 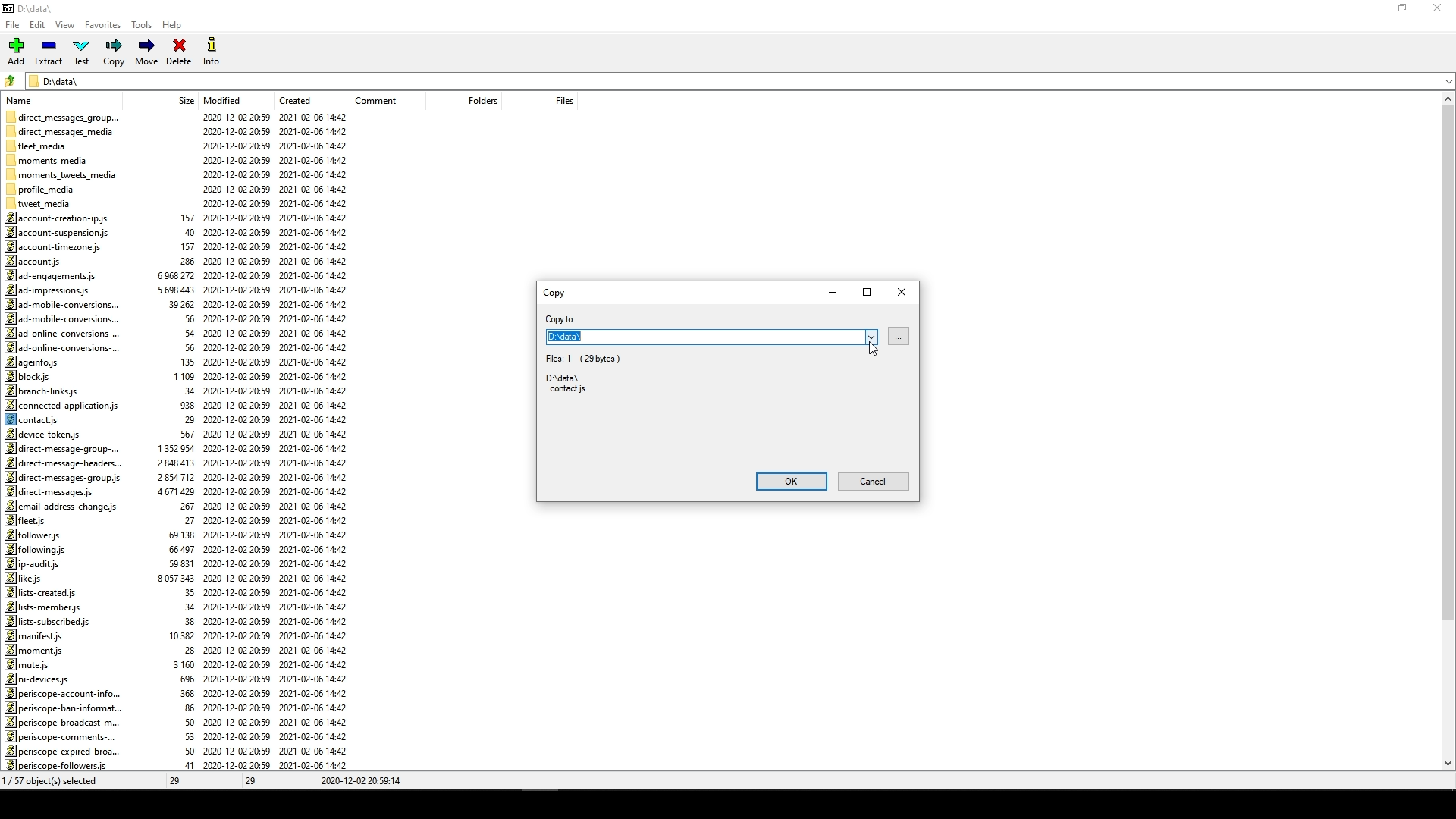 I want to click on maximize, so click(x=867, y=290).